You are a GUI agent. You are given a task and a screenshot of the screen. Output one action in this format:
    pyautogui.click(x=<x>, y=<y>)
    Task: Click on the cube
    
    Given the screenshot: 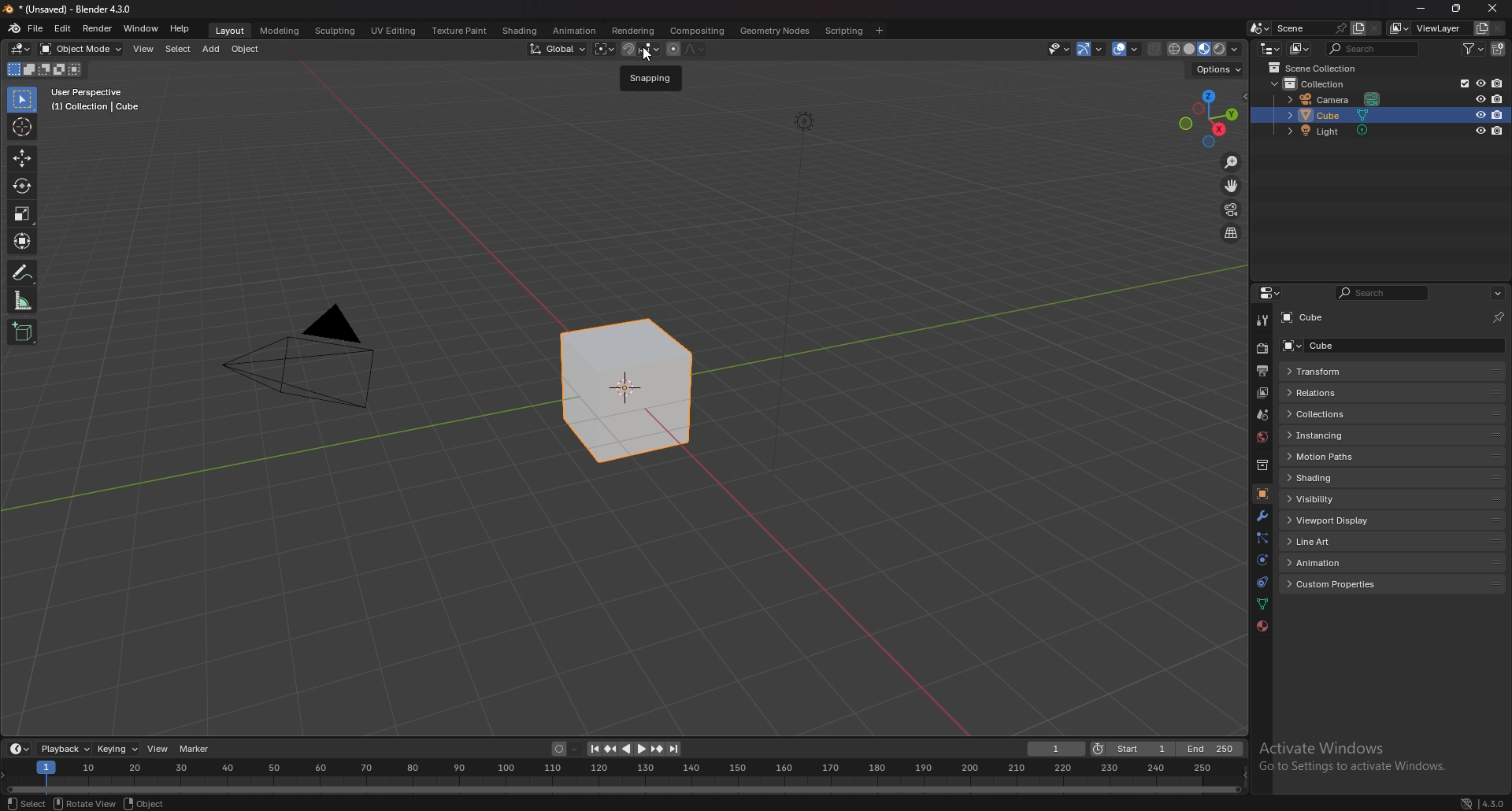 What is the action you would take?
    pyautogui.click(x=1332, y=115)
    